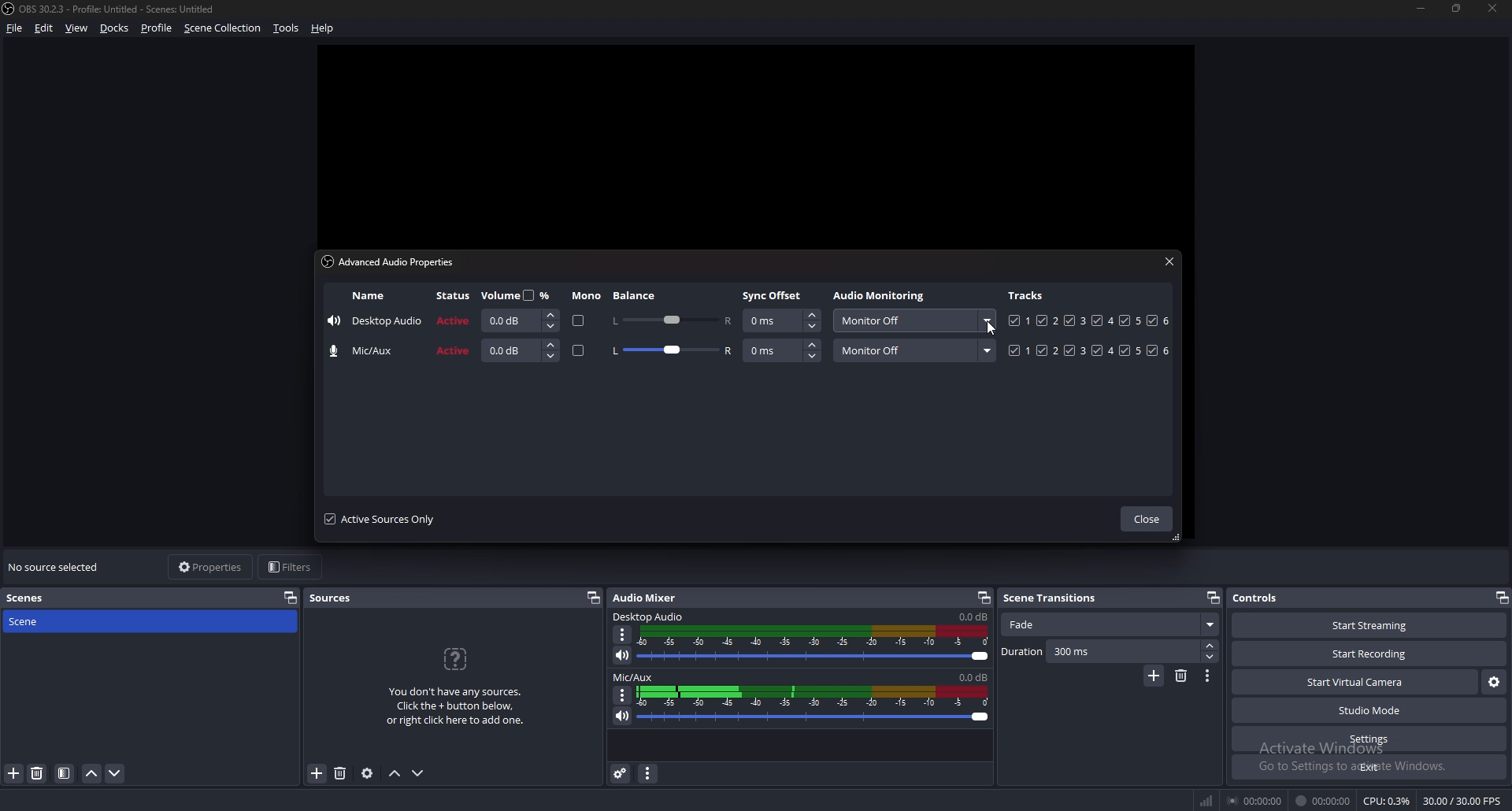  What do you see at coordinates (1209, 657) in the screenshot?
I see `decrease duration` at bounding box center [1209, 657].